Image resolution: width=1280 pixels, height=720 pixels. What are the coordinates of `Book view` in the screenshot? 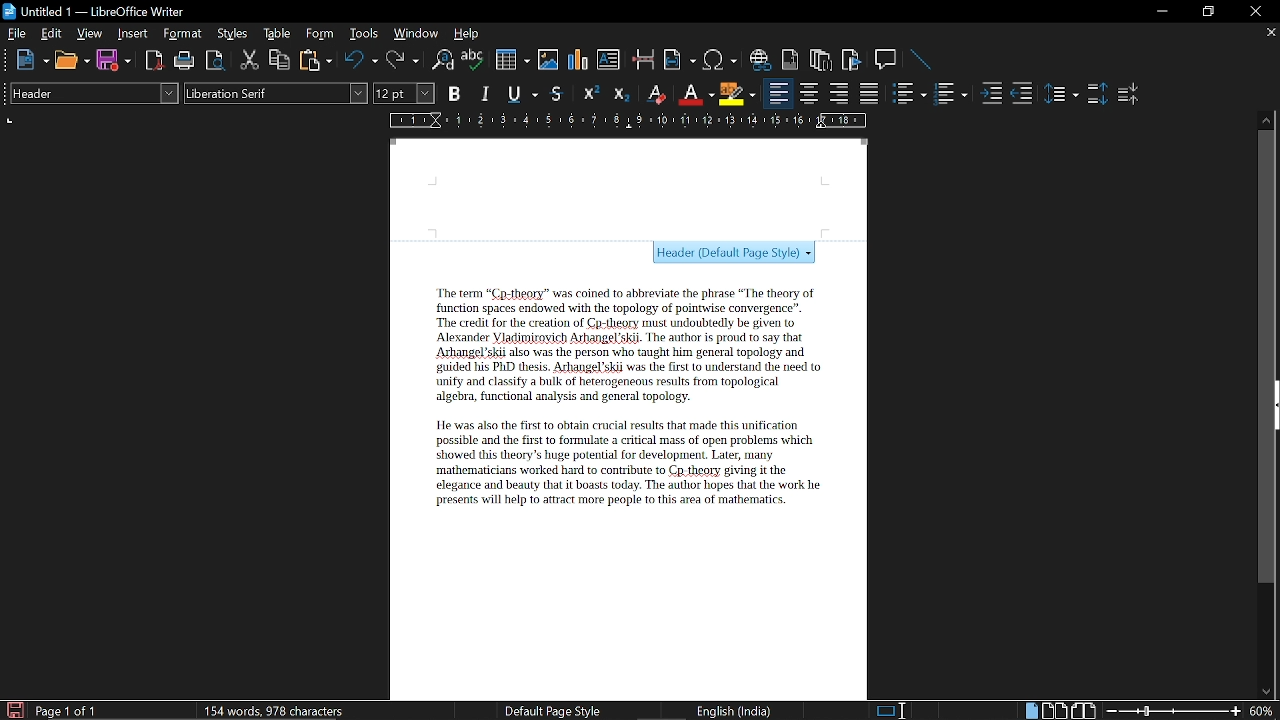 It's located at (1086, 710).